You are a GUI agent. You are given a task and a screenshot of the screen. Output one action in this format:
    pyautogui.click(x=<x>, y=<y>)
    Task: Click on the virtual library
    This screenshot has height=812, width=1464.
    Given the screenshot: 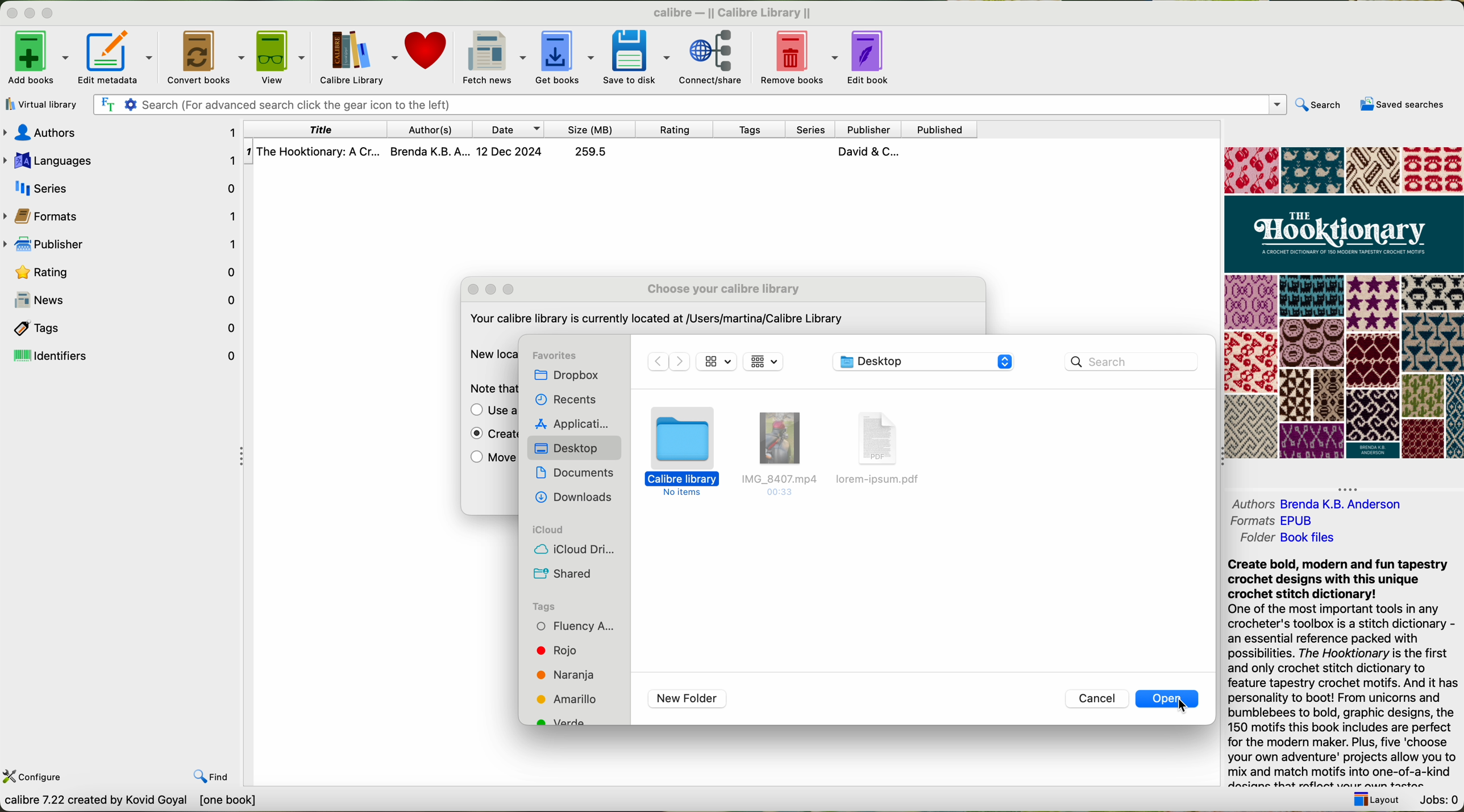 What is the action you would take?
    pyautogui.click(x=40, y=105)
    